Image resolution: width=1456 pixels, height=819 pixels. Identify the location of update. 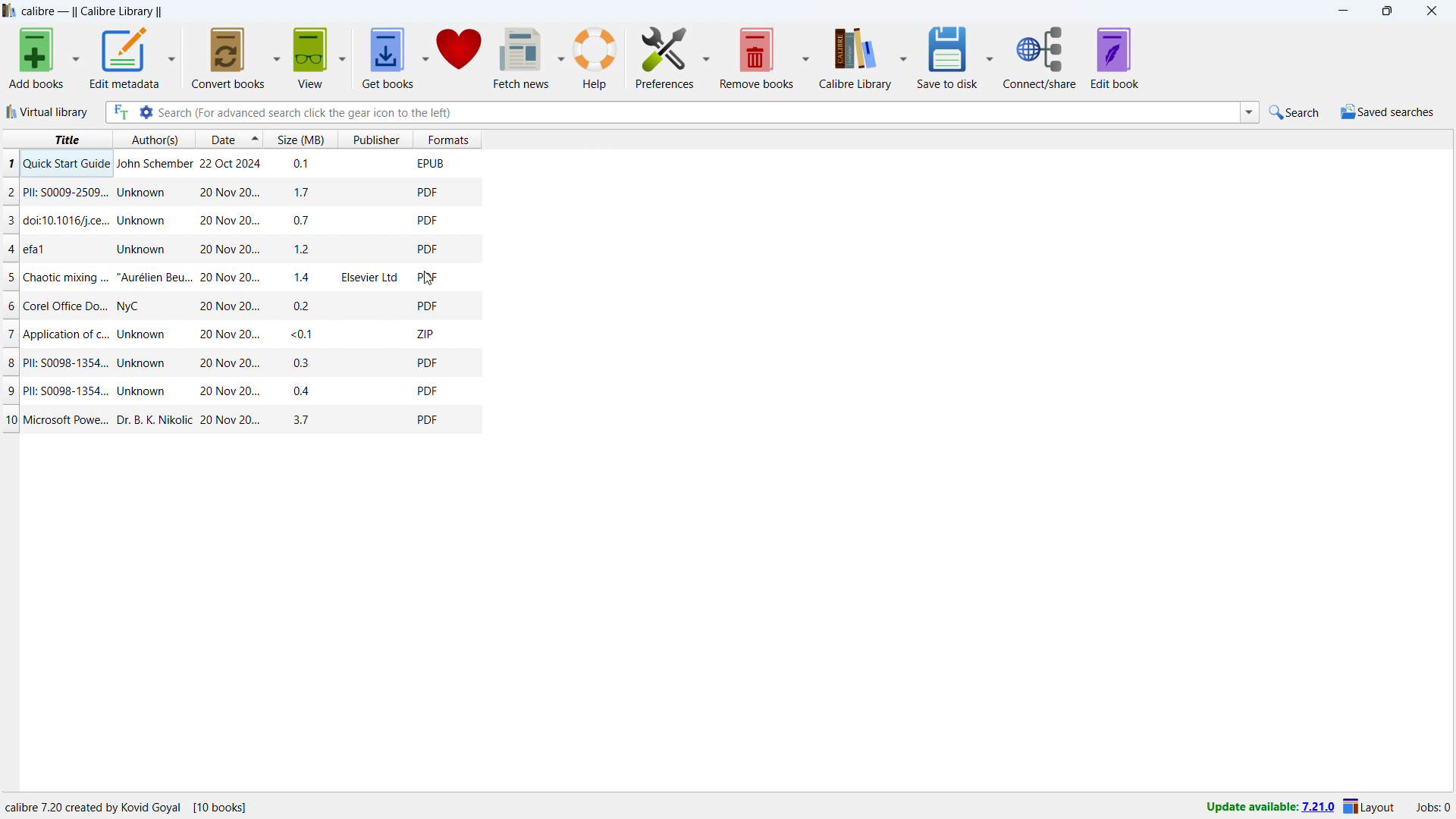
(1269, 808).